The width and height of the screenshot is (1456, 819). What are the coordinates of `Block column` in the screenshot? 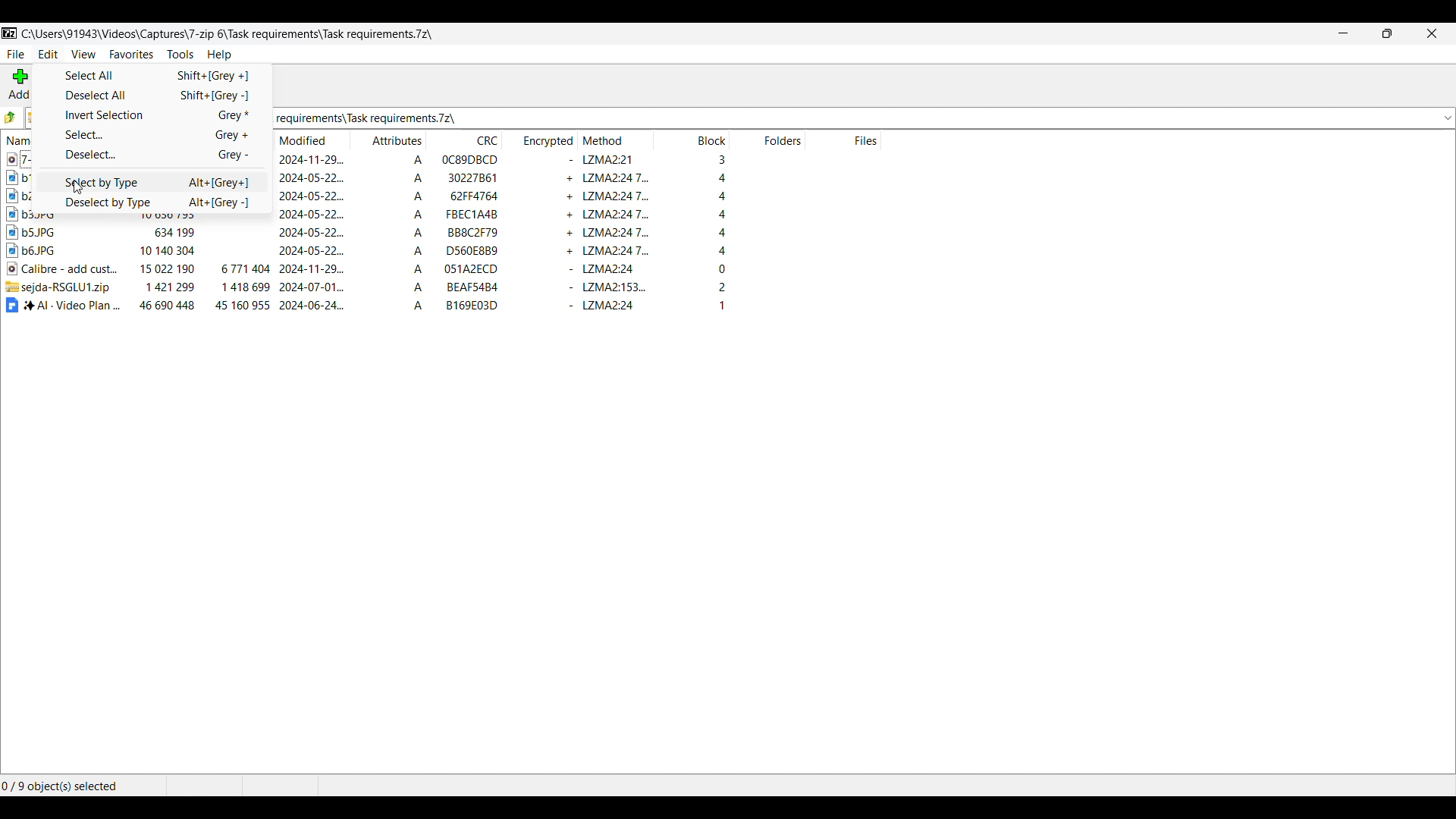 It's located at (693, 139).